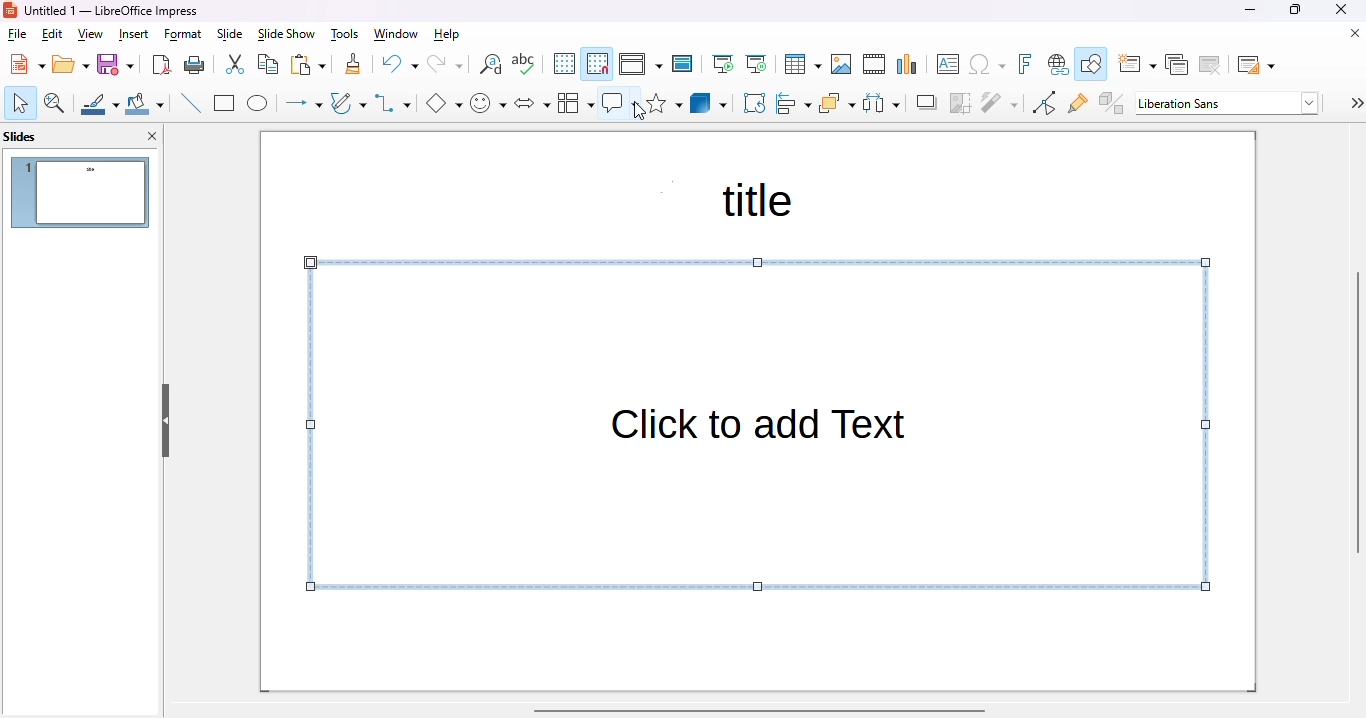 This screenshot has height=718, width=1366. Describe the element at coordinates (837, 103) in the screenshot. I see `arrange` at that location.